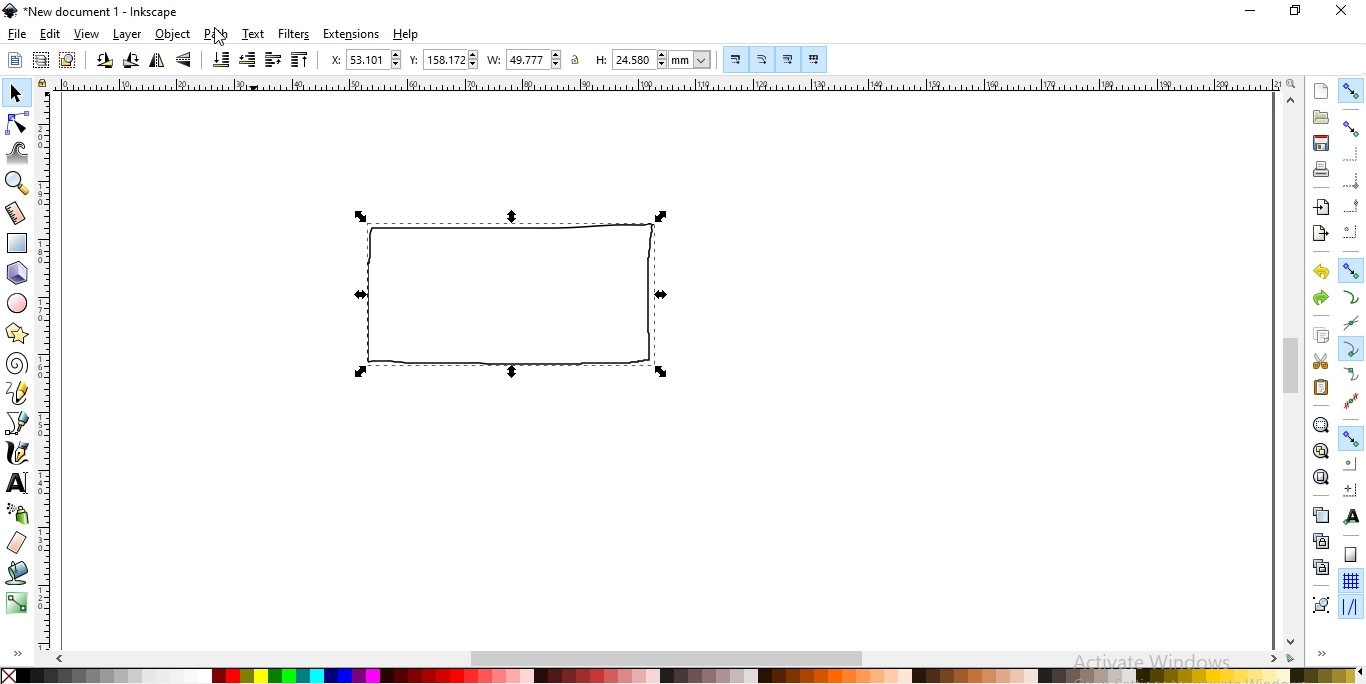 The width and height of the screenshot is (1366, 684). What do you see at coordinates (1322, 336) in the screenshot?
I see `copy` at bounding box center [1322, 336].